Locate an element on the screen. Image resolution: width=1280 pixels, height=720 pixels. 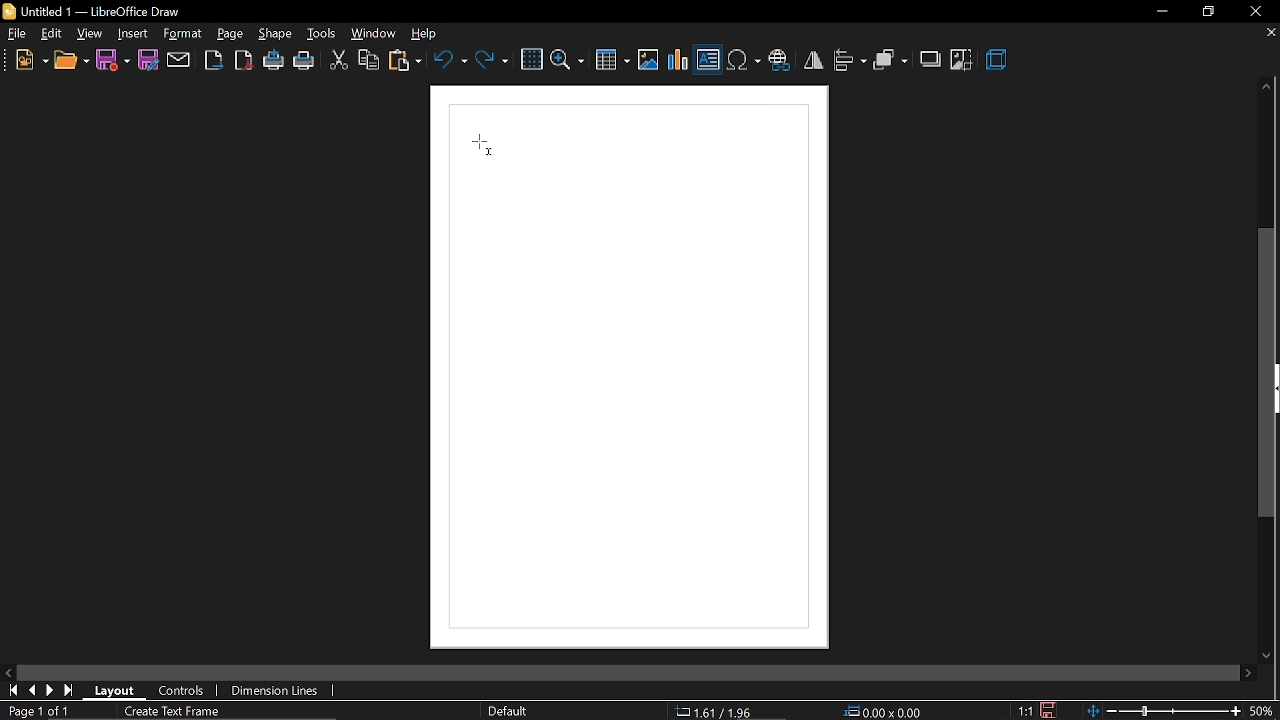
insert symbol is located at coordinates (743, 61).